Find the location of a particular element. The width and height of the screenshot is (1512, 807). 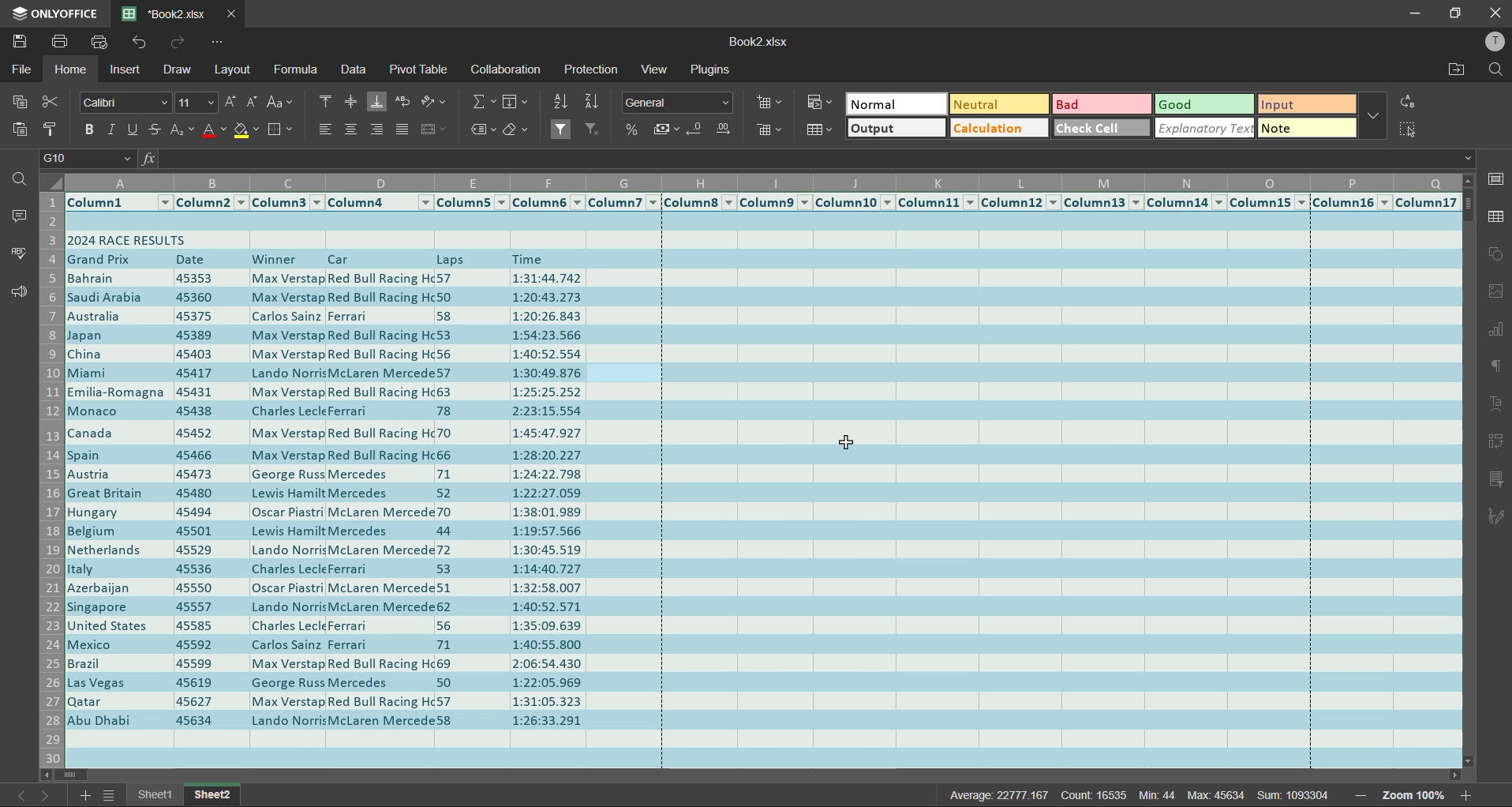

insert cells is located at coordinates (768, 103).